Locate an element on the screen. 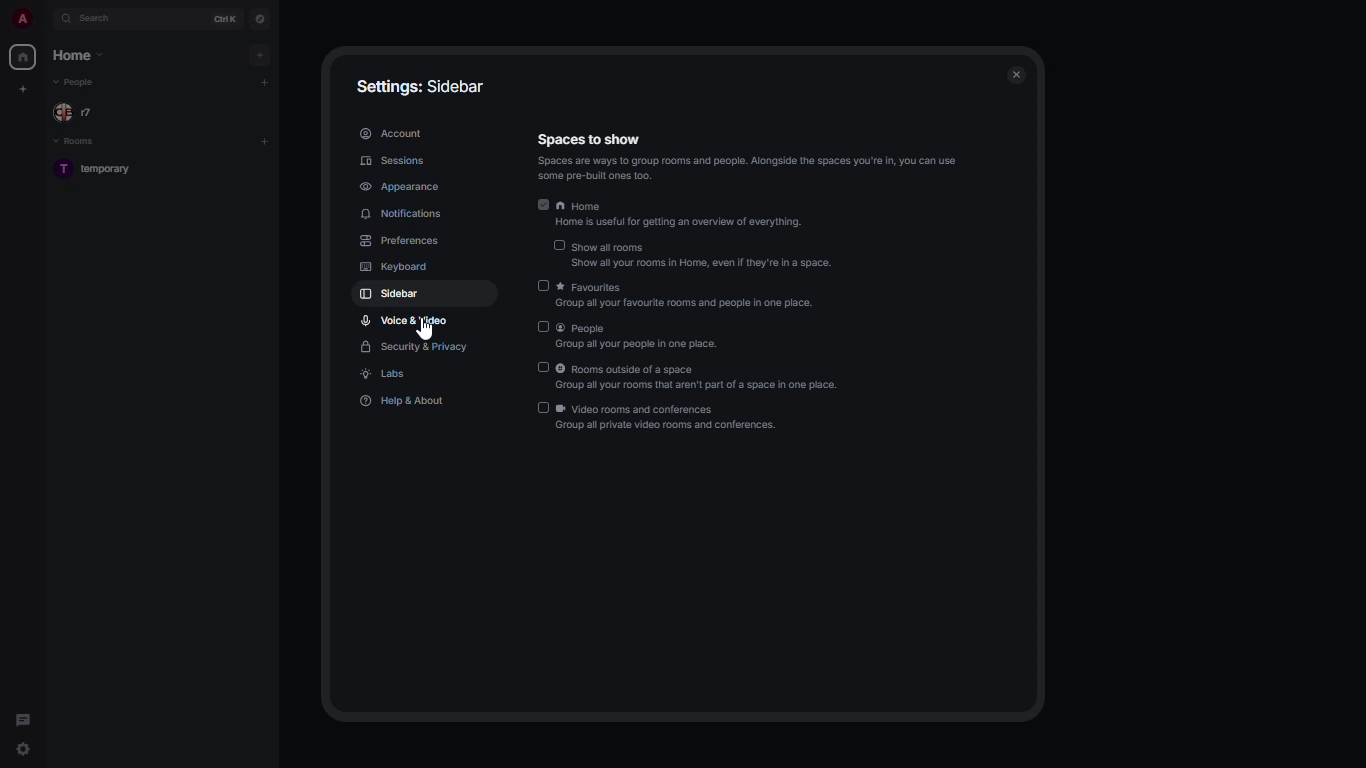  GPS ON DNs TR awipatiOispee now pee. is located at coordinates (695, 386).